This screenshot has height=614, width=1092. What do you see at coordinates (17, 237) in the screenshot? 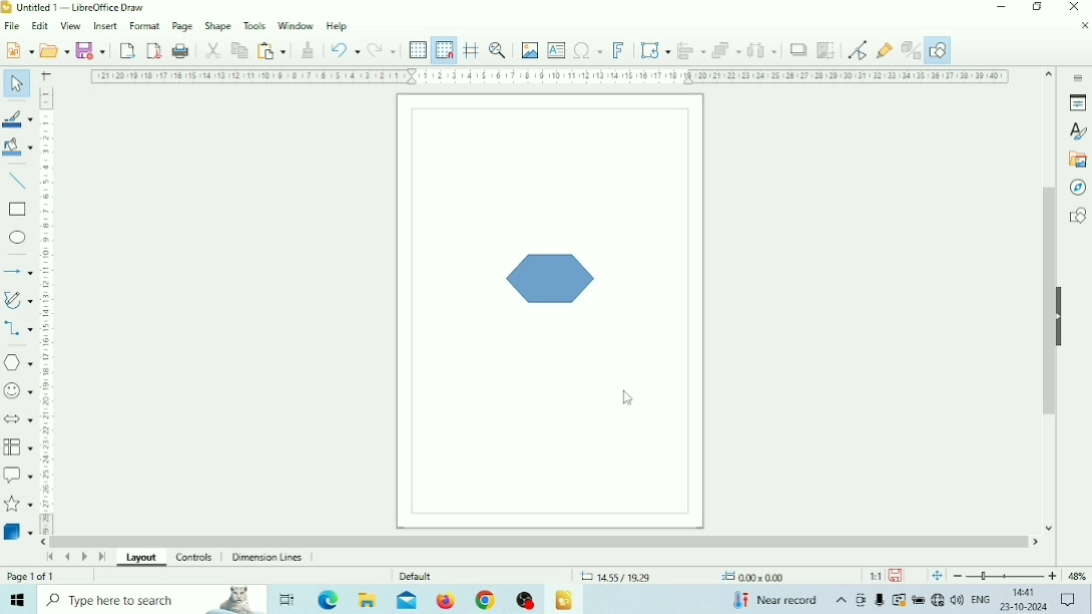
I see `Ellipse` at bounding box center [17, 237].